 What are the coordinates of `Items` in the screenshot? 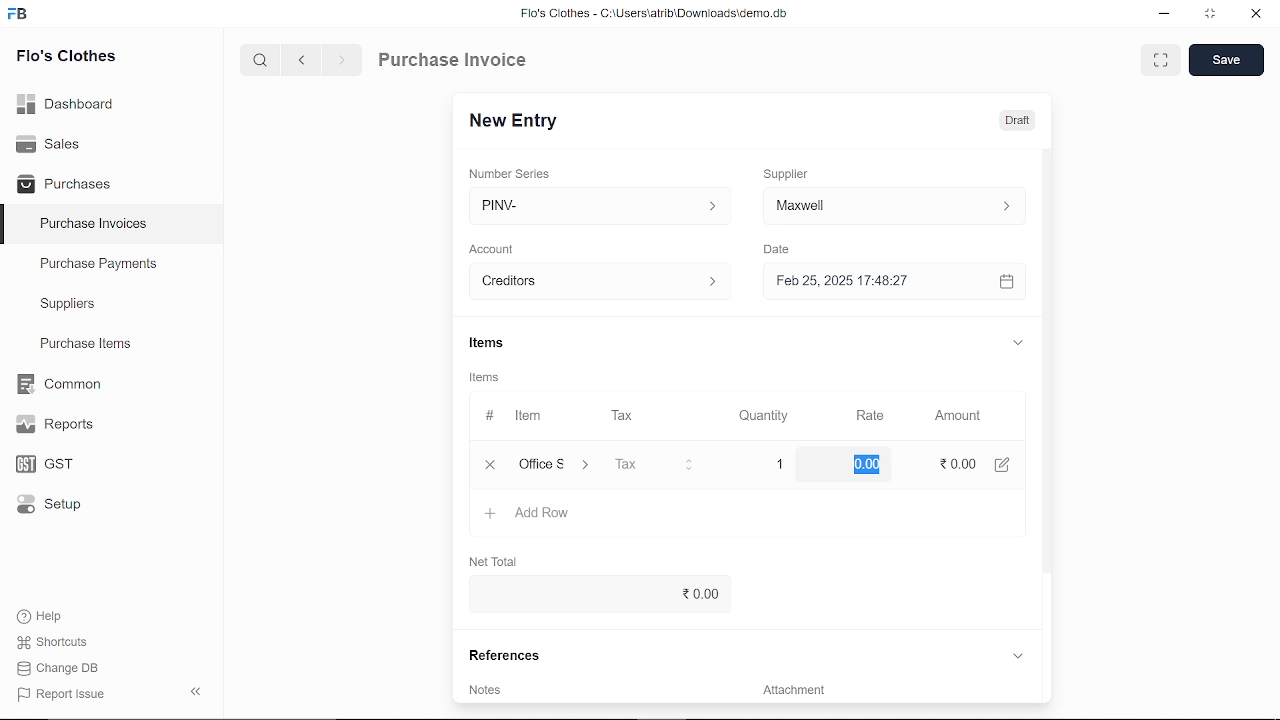 It's located at (502, 343).